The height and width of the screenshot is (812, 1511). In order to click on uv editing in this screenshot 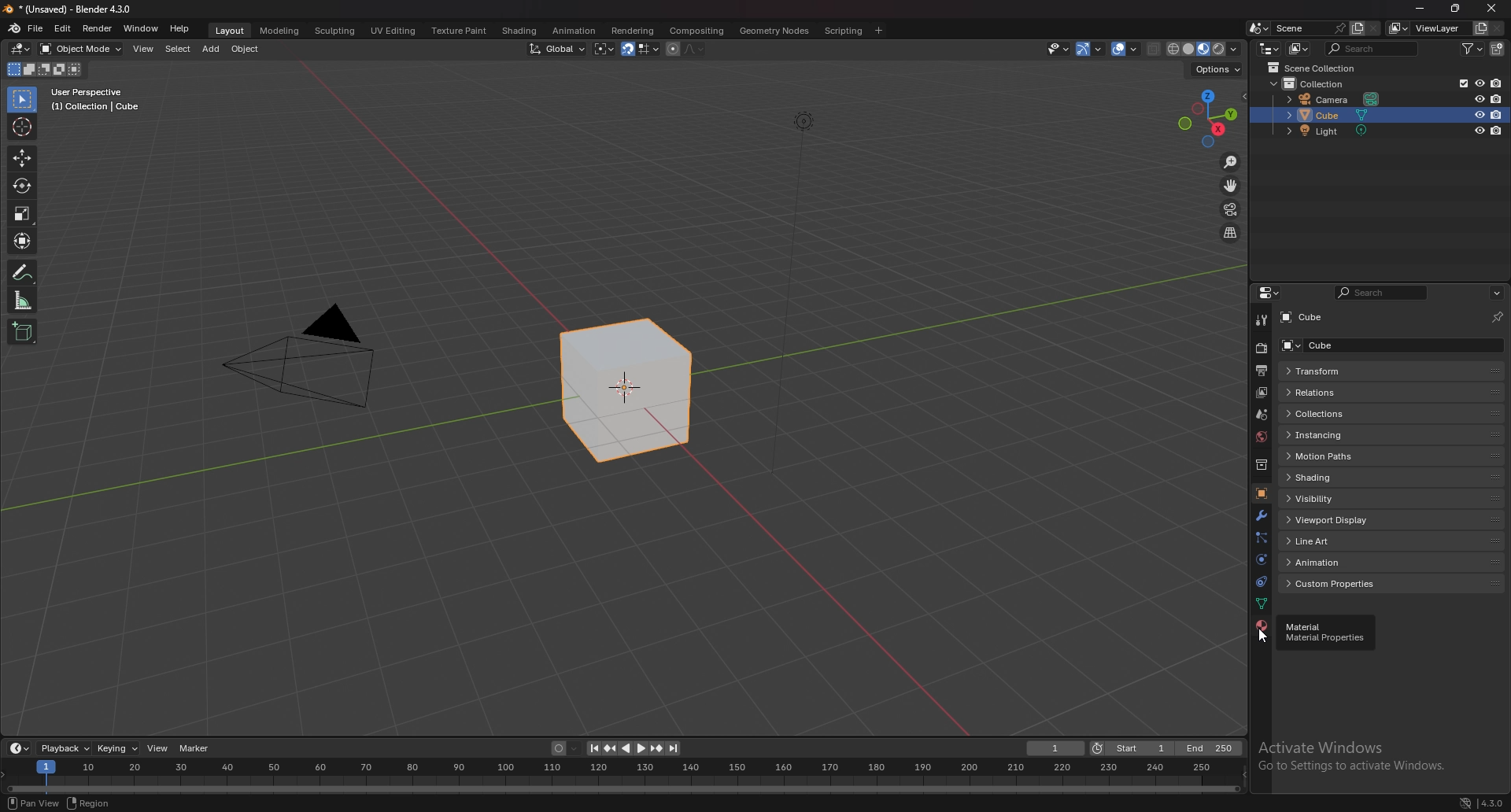, I will do `click(392, 30)`.